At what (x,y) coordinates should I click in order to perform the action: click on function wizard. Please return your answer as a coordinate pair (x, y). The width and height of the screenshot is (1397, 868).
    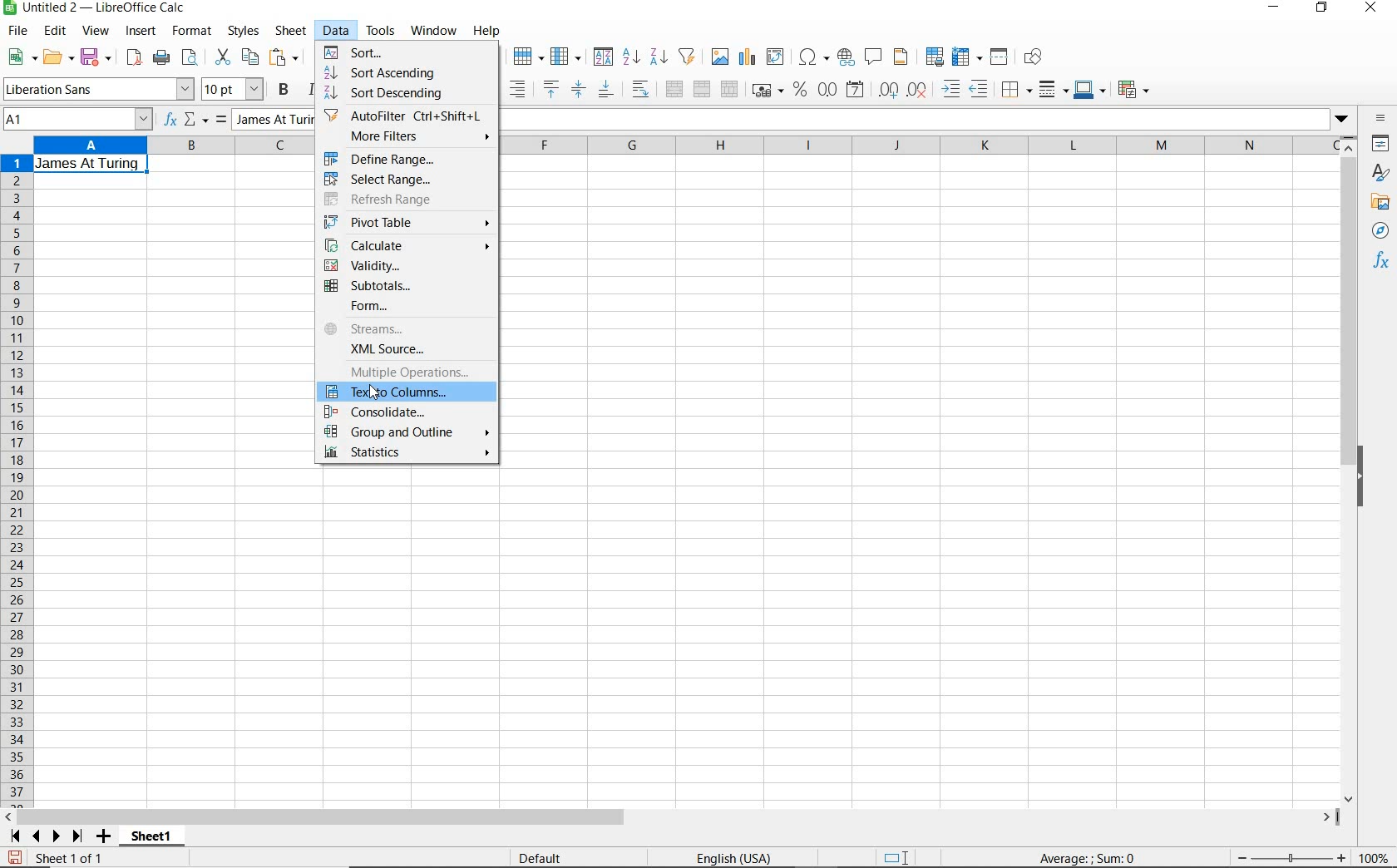
    Looking at the image, I should click on (172, 121).